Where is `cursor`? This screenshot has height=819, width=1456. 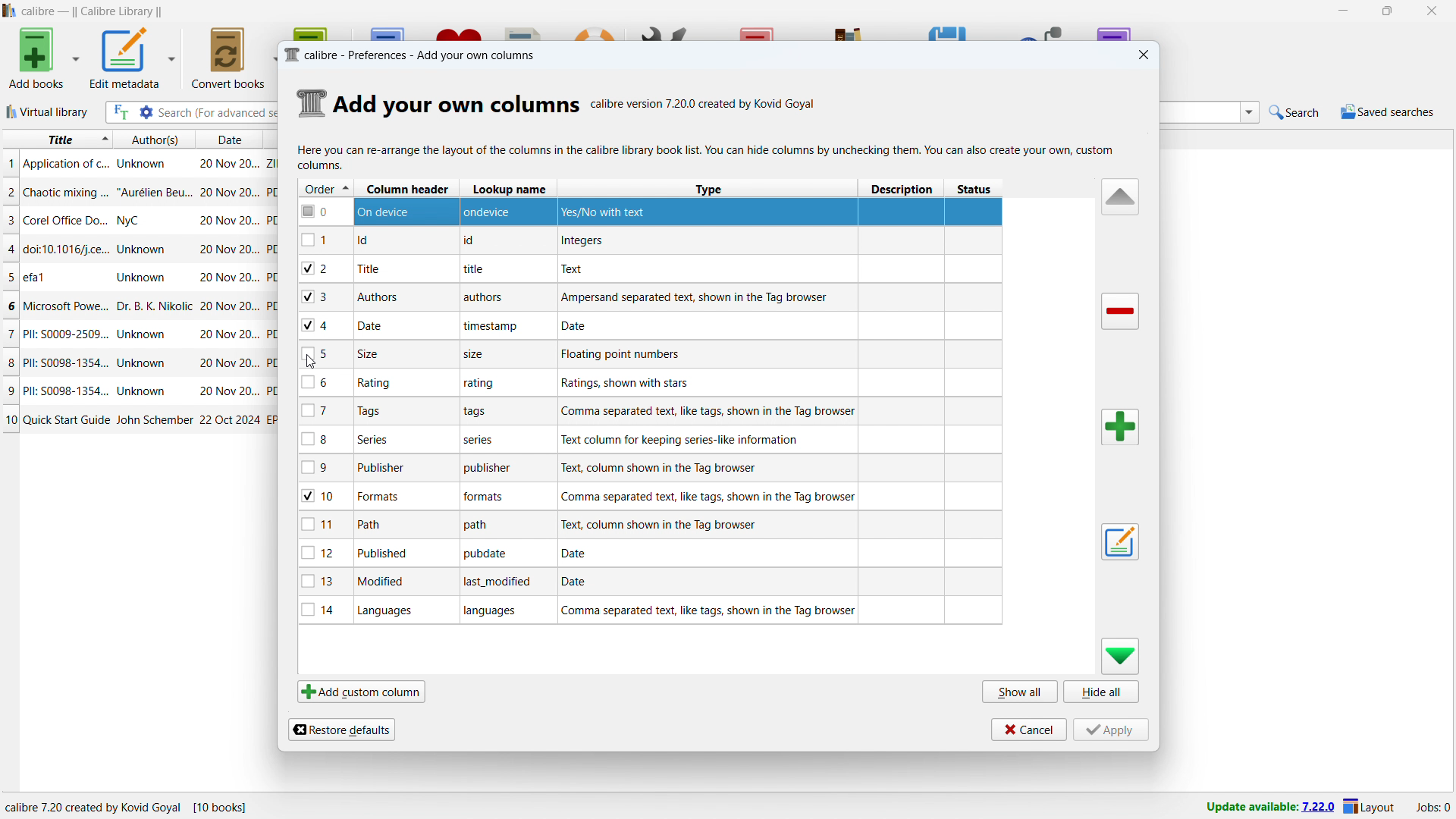
cursor is located at coordinates (315, 362).